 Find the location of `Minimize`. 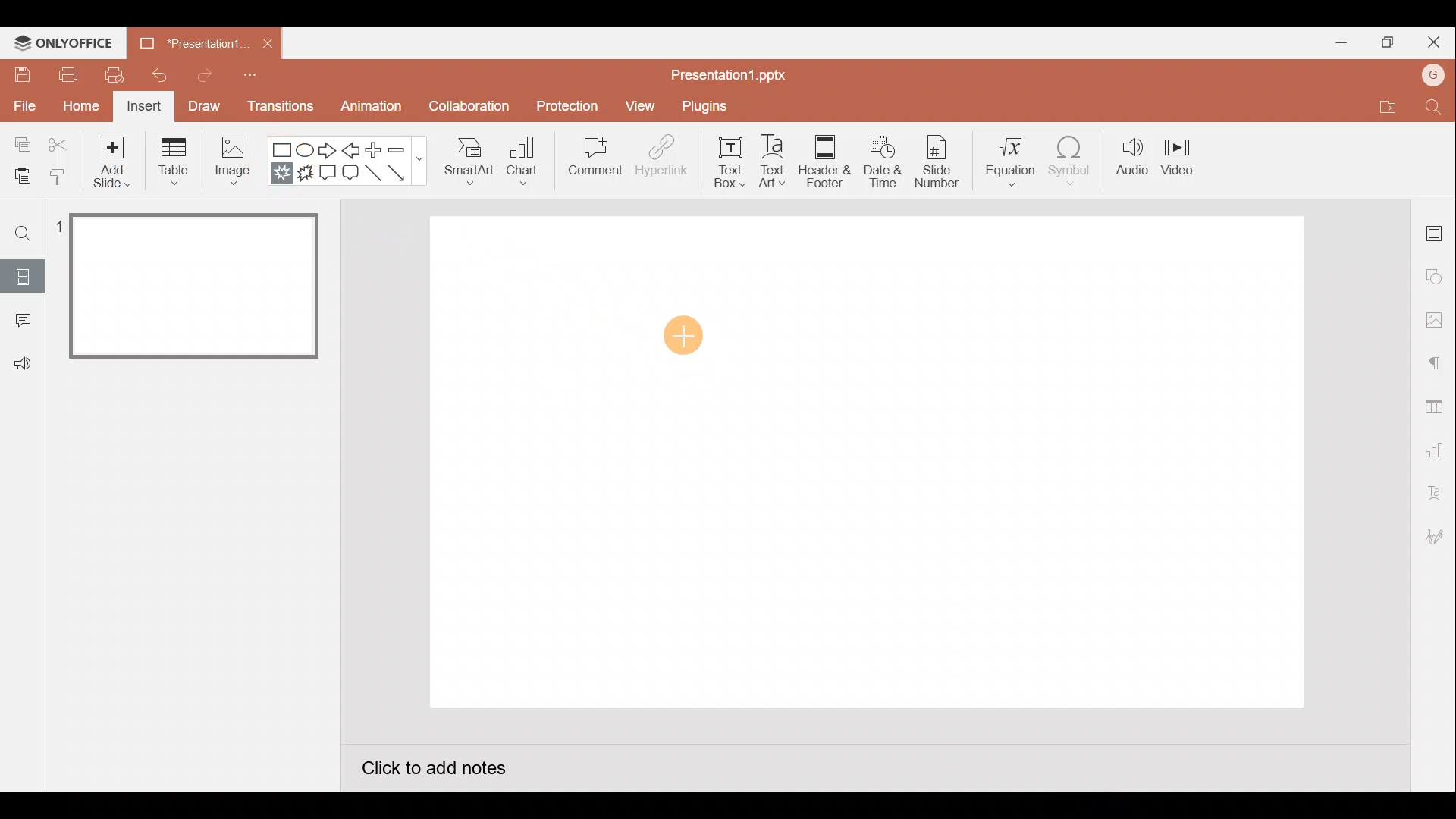

Minimize is located at coordinates (1339, 42).